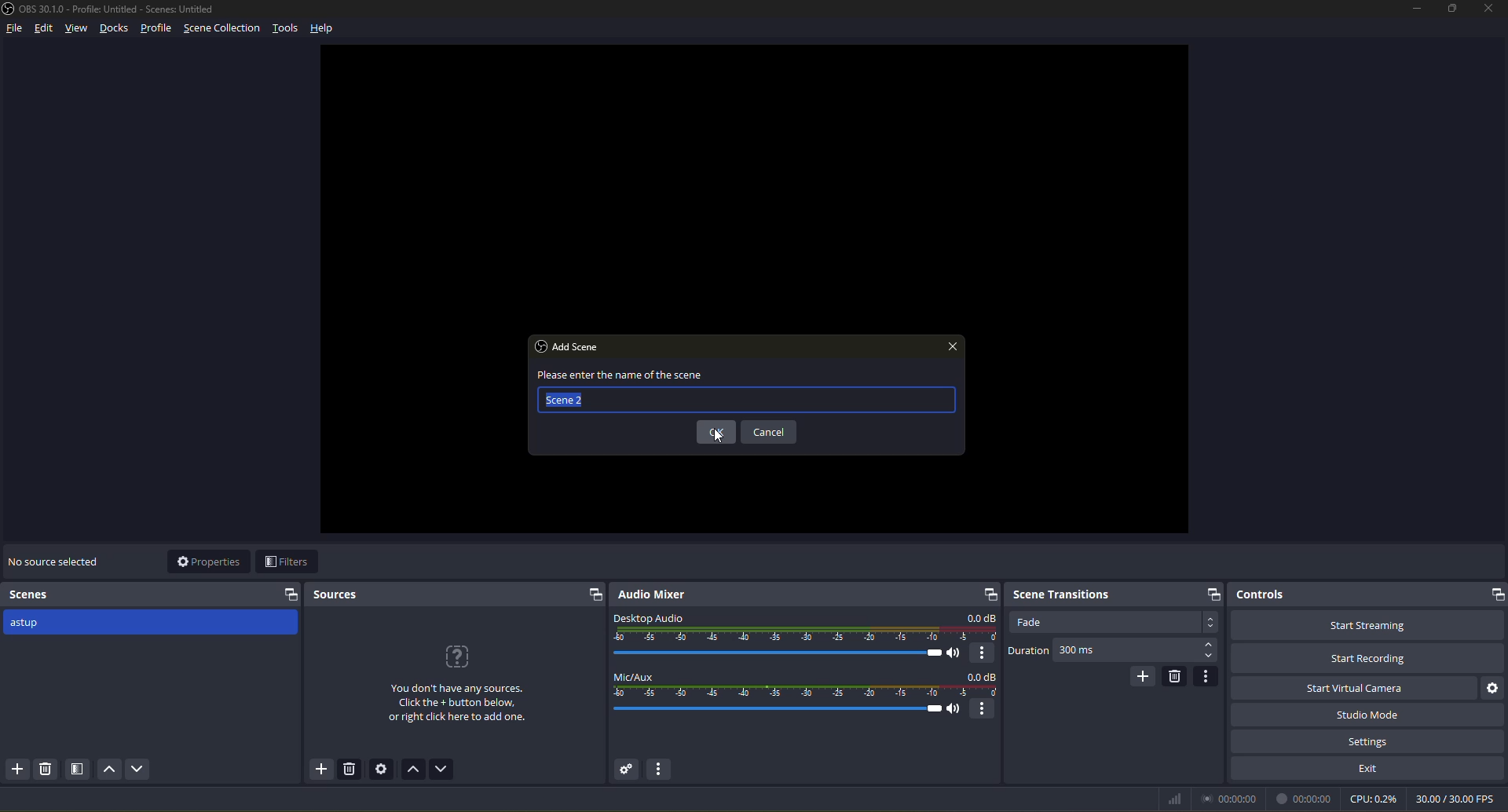 This screenshot has width=1508, height=812. What do you see at coordinates (157, 29) in the screenshot?
I see `profile` at bounding box center [157, 29].